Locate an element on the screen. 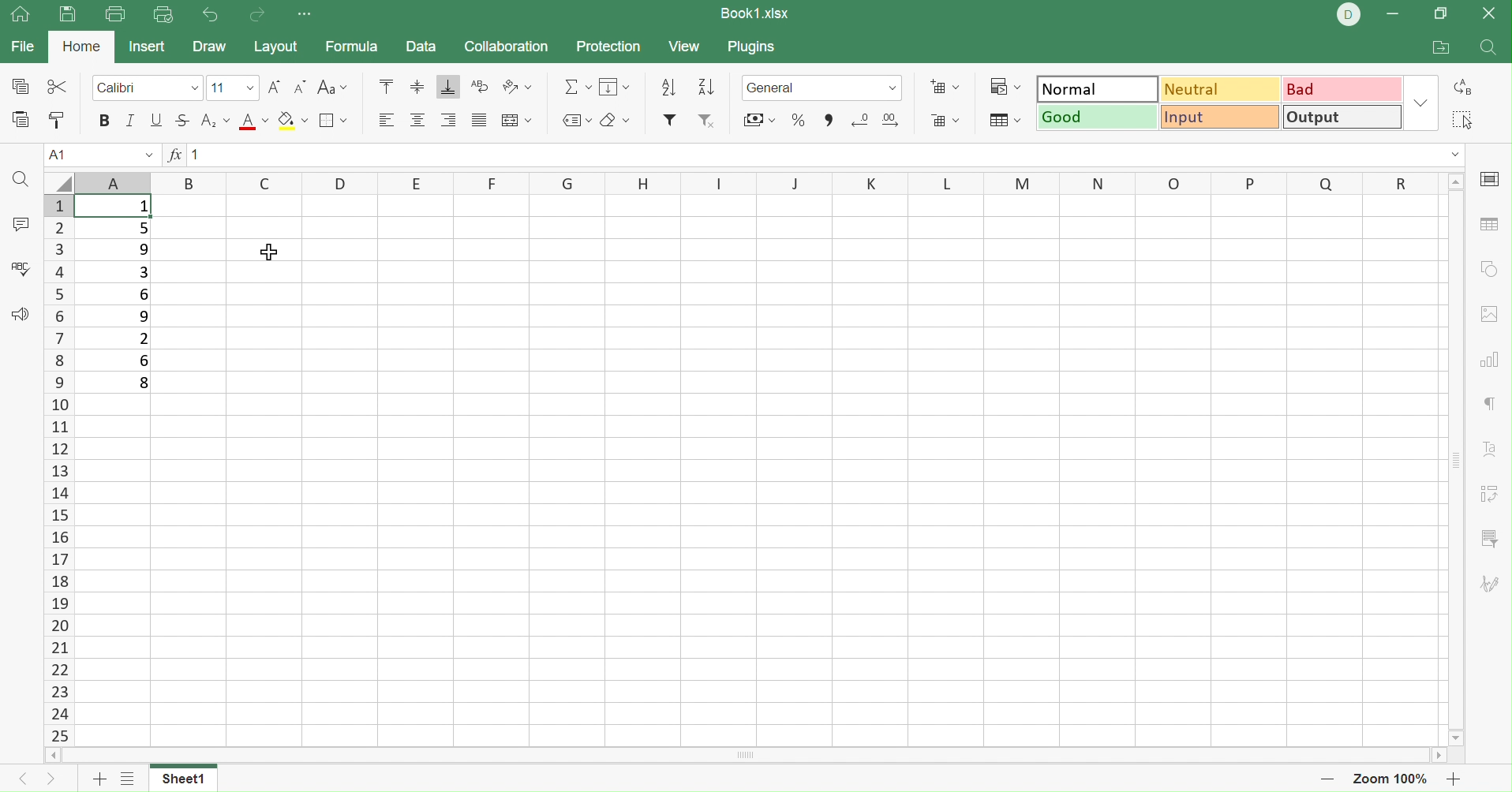  Next is located at coordinates (49, 781).